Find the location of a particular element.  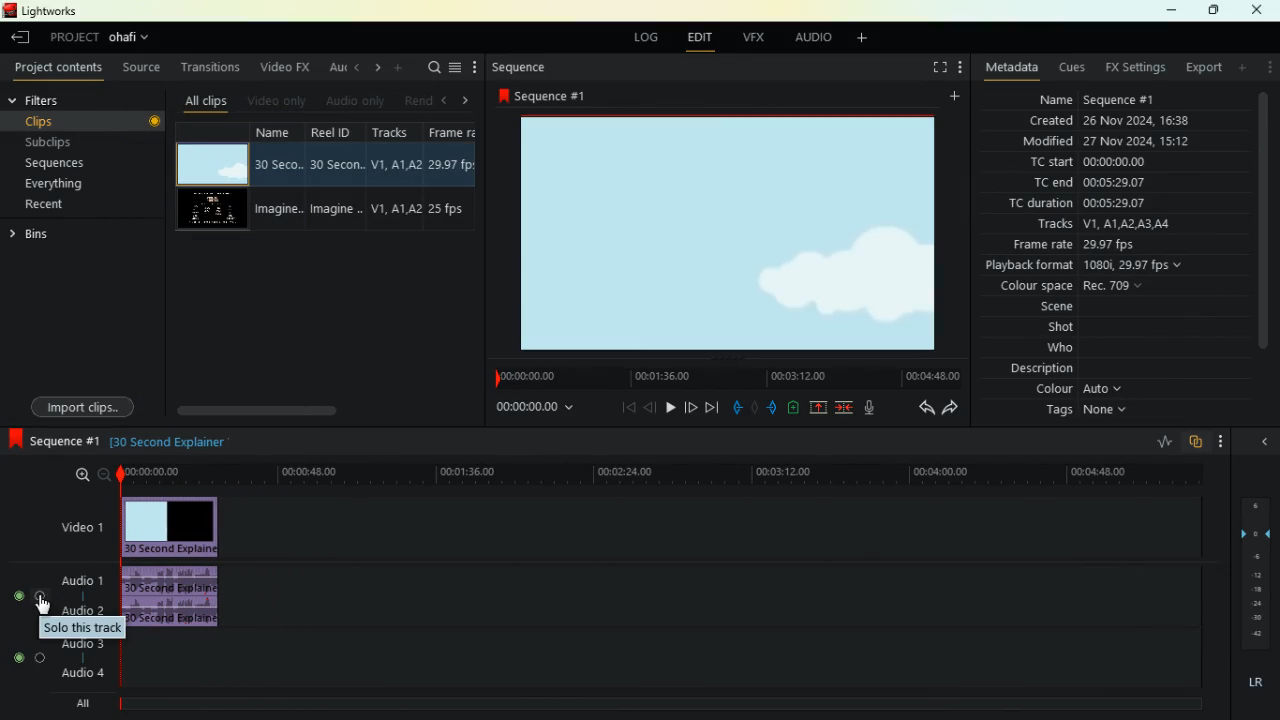

everything is located at coordinates (56, 184).